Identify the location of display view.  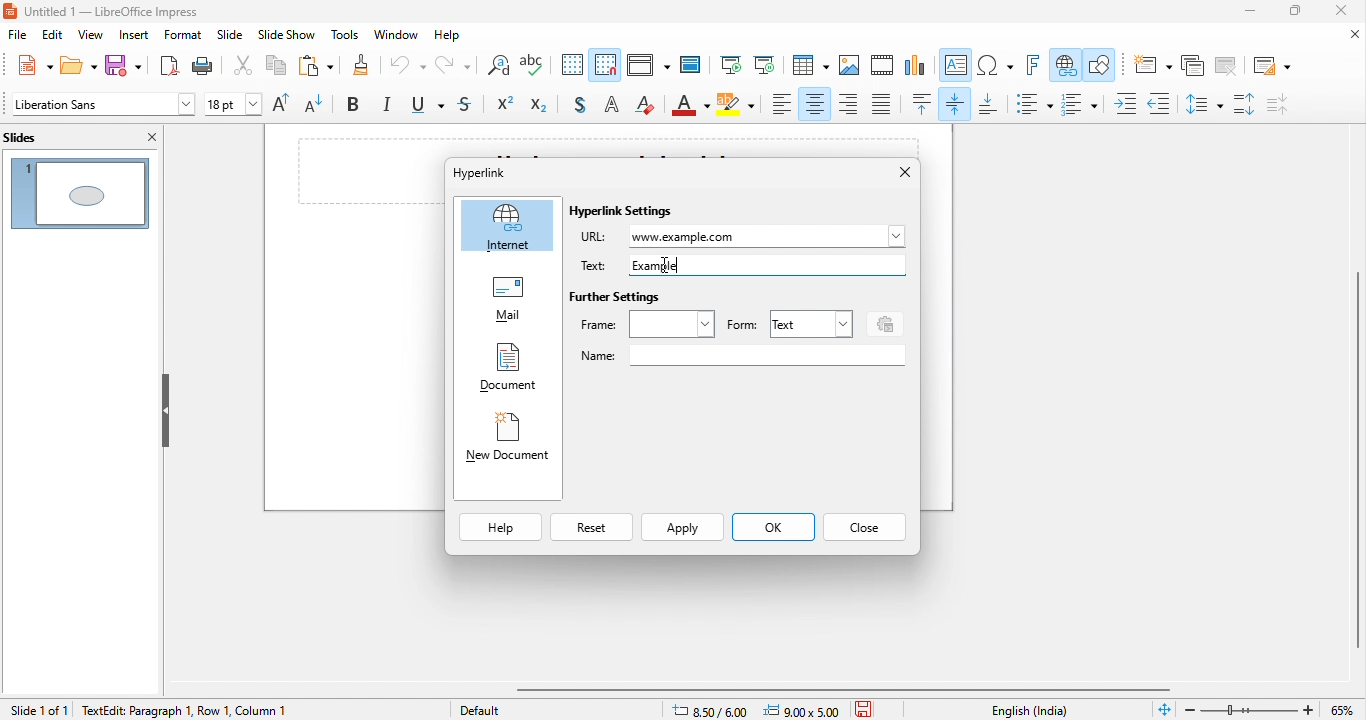
(647, 67).